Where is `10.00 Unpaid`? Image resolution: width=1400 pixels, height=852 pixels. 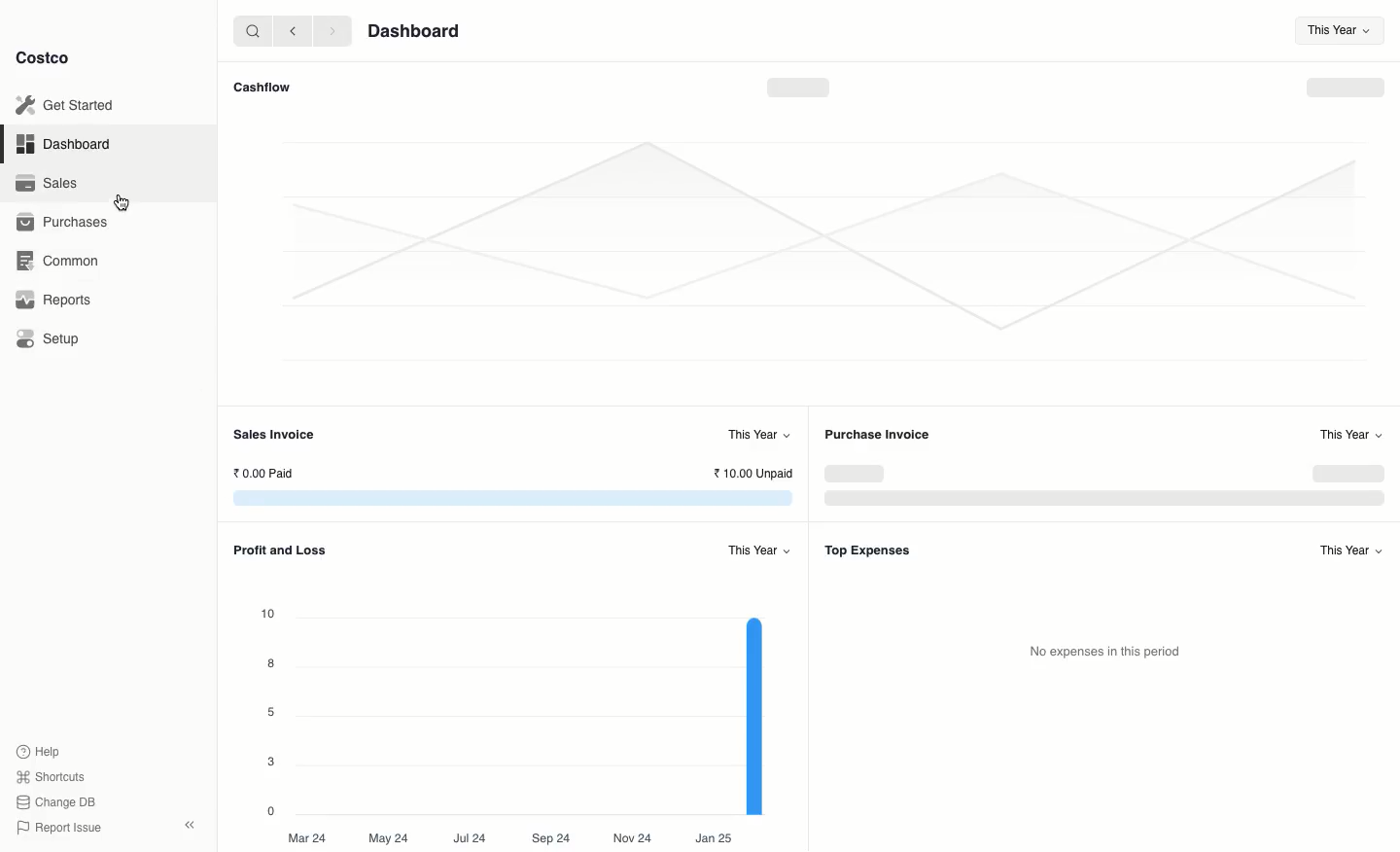
10.00 Unpaid is located at coordinates (752, 473).